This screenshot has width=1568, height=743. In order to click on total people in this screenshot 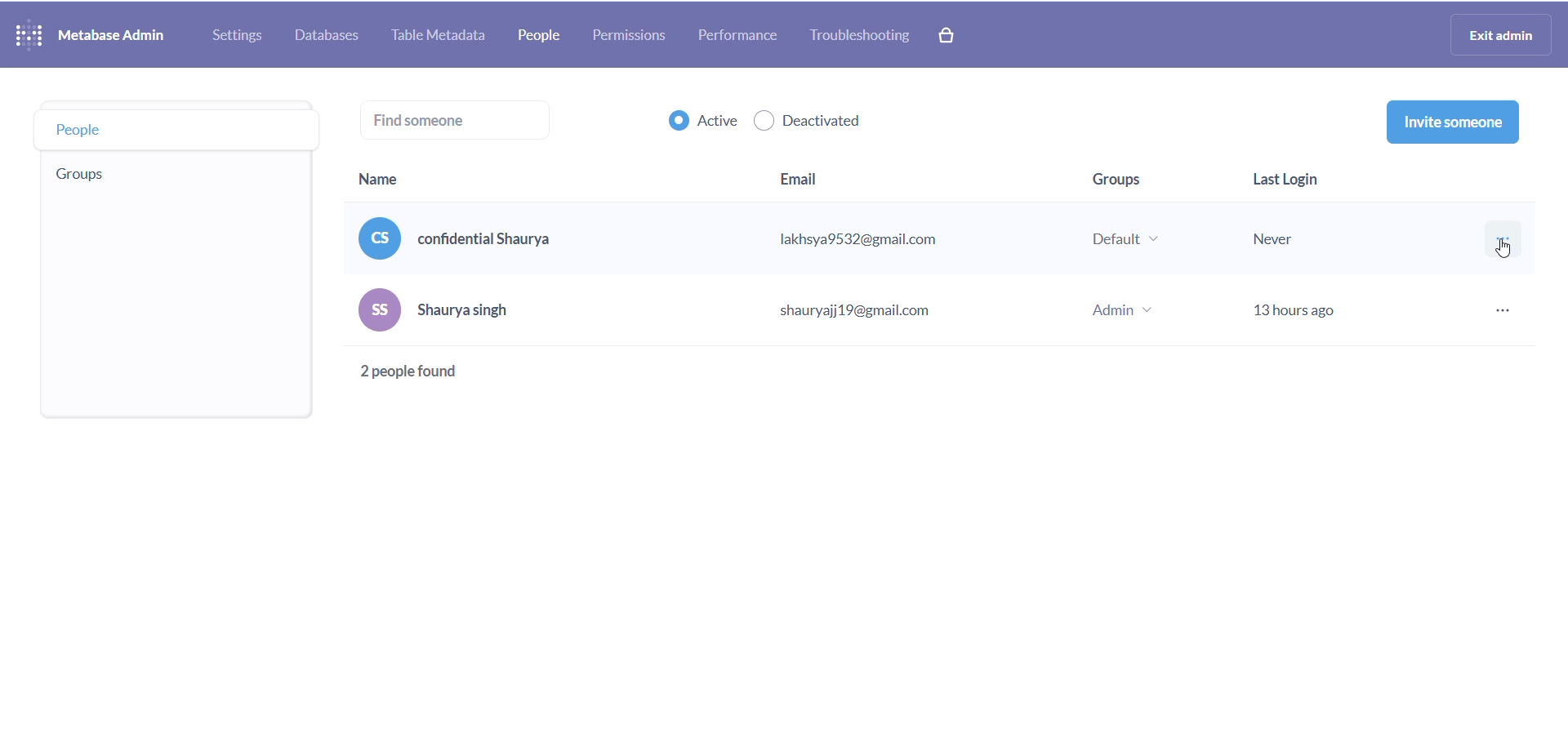, I will do `click(413, 376)`.